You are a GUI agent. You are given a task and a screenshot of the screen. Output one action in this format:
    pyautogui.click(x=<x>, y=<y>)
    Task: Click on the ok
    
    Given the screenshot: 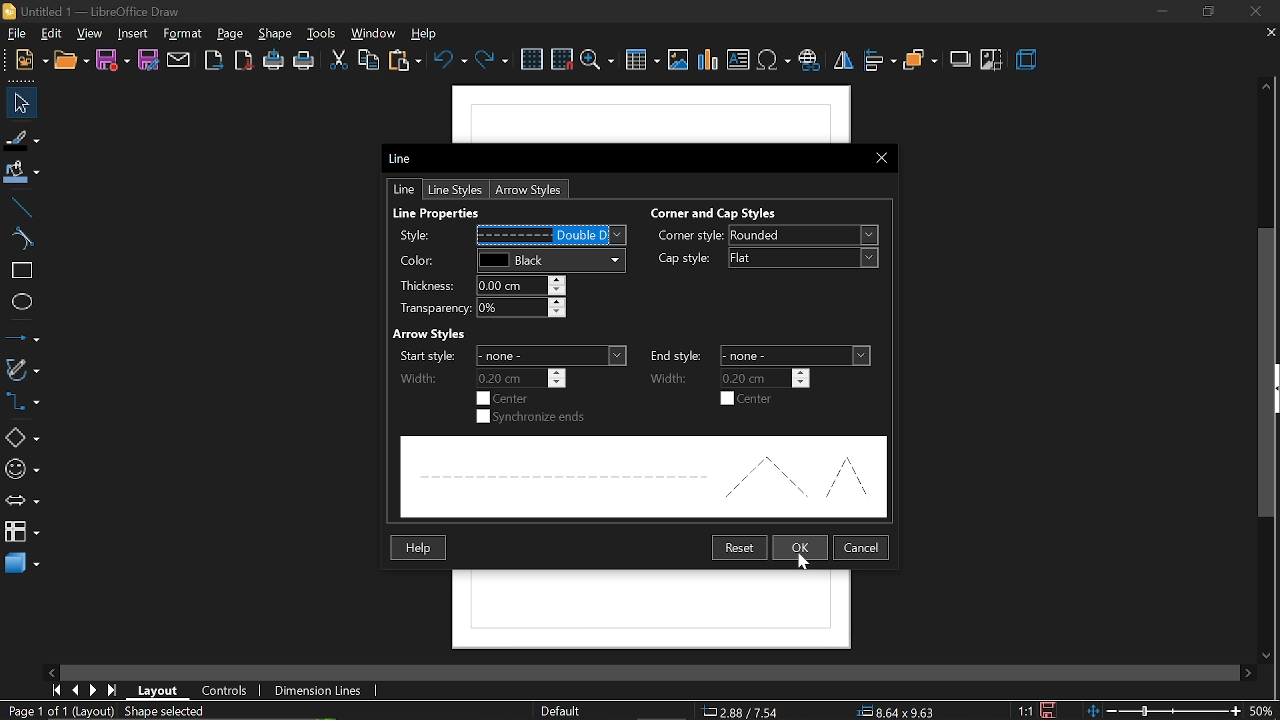 What is the action you would take?
    pyautogui.click(x=800, y=547)
    